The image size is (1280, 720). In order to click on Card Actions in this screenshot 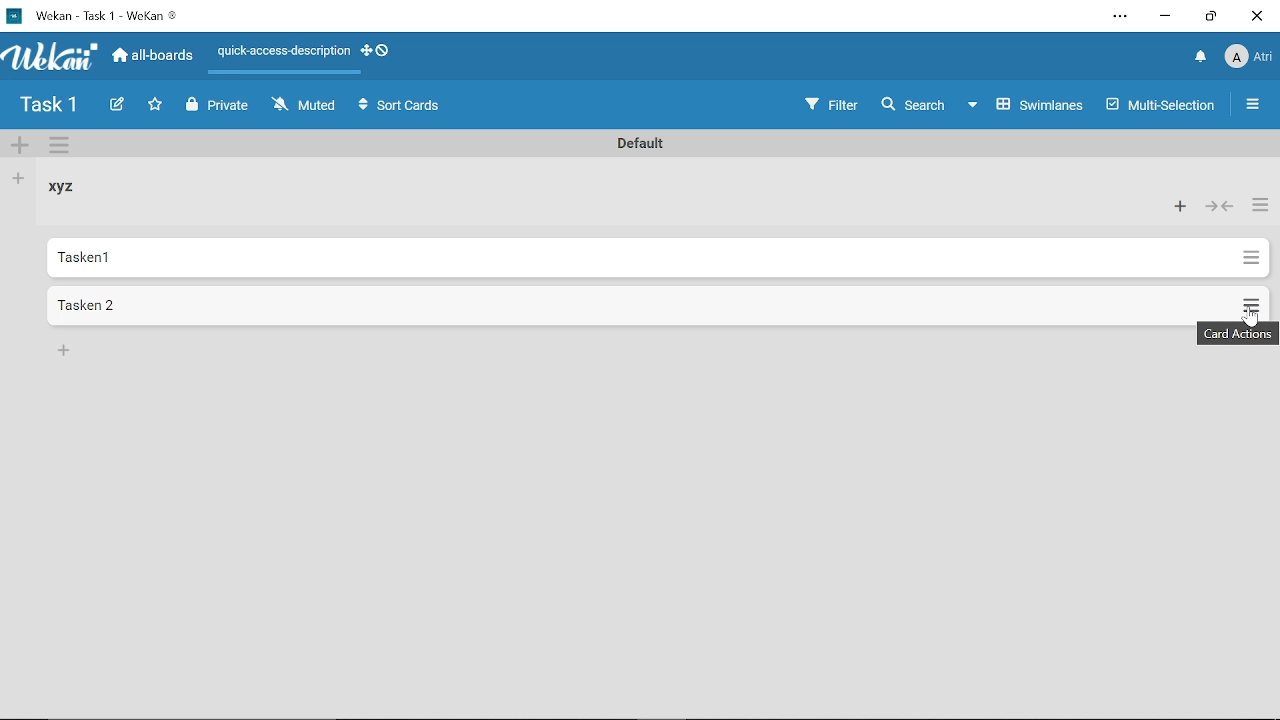, I will do `click(1240, 334)`.